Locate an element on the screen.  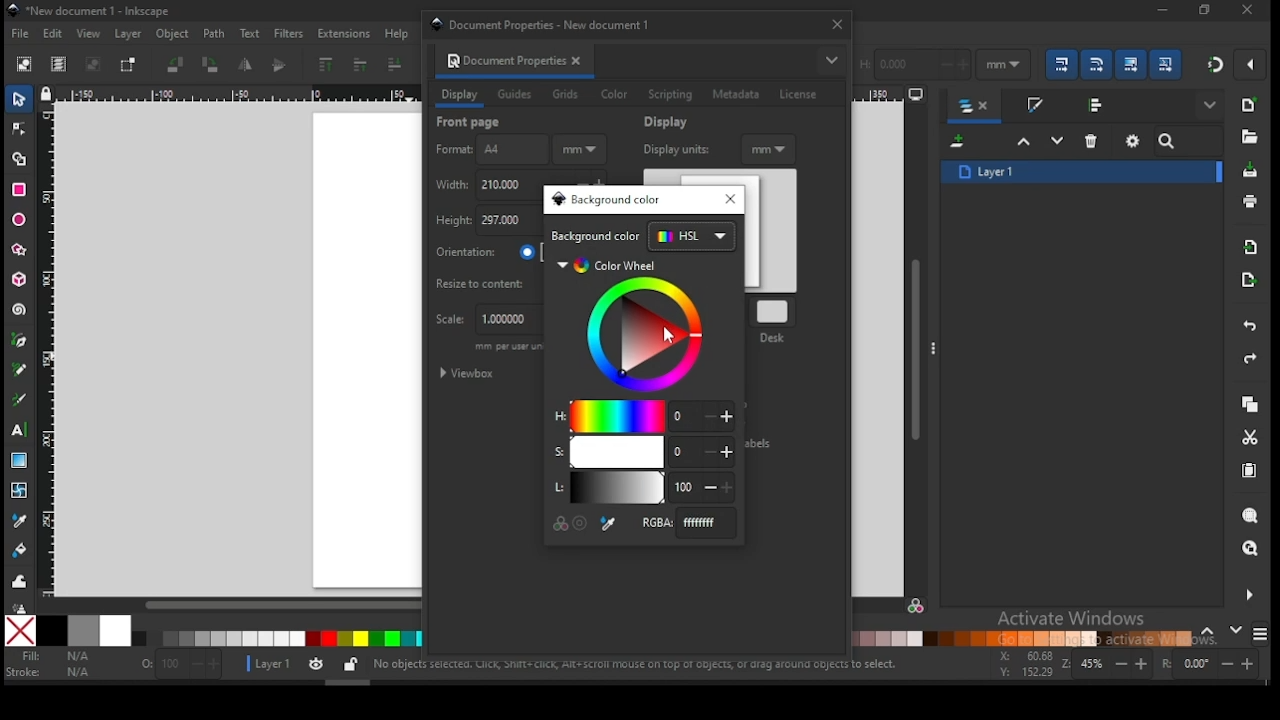
units is located at coordinates (1004, 65).